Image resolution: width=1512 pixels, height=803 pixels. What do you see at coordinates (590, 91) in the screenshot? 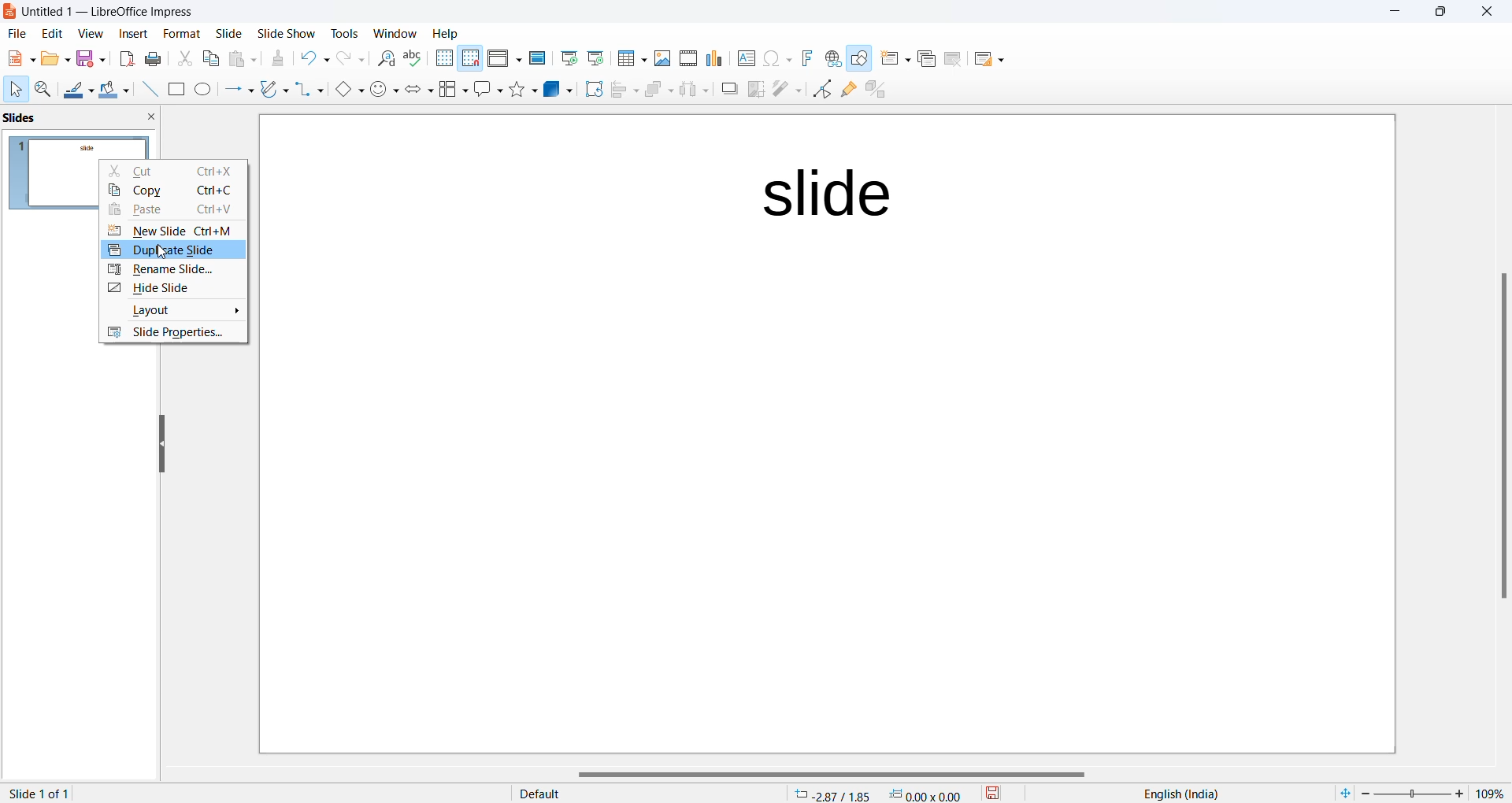
I see `Rotate` at bounding box center [590, 91].